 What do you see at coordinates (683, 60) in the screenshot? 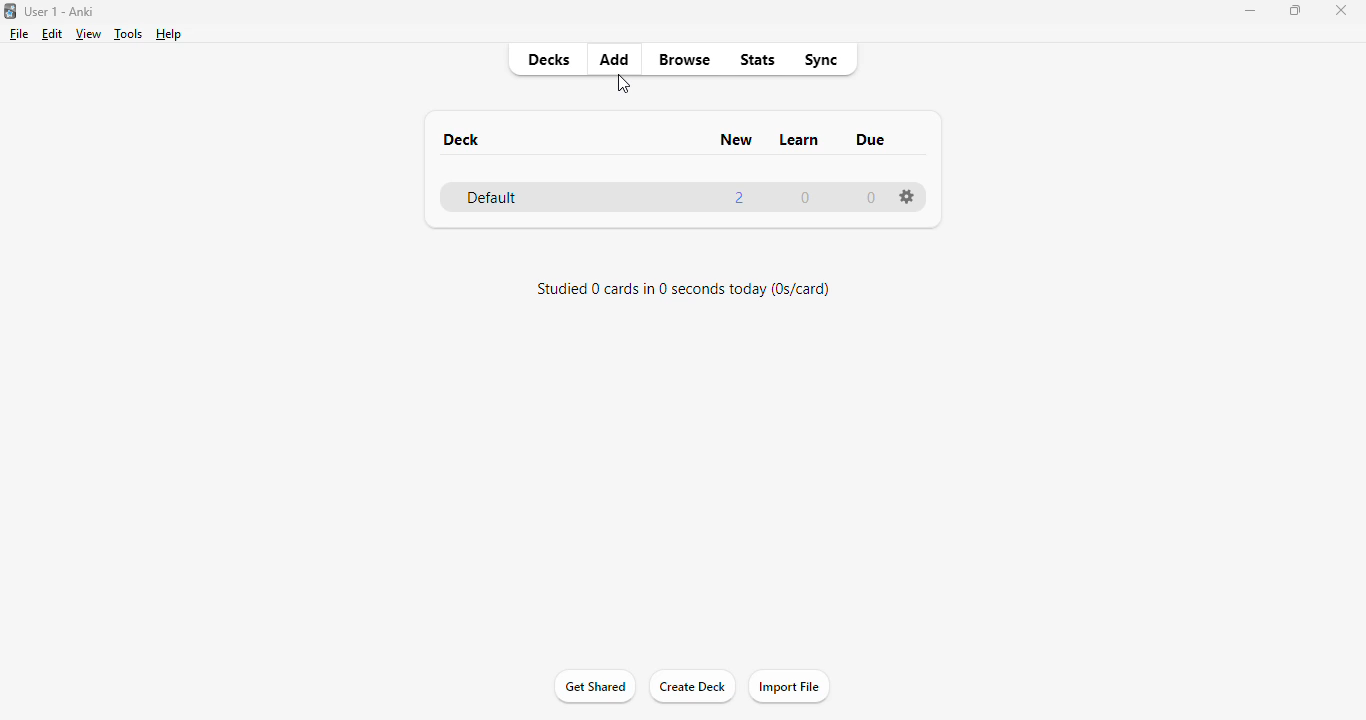
I see `browse` at bounding box center [683, 60].